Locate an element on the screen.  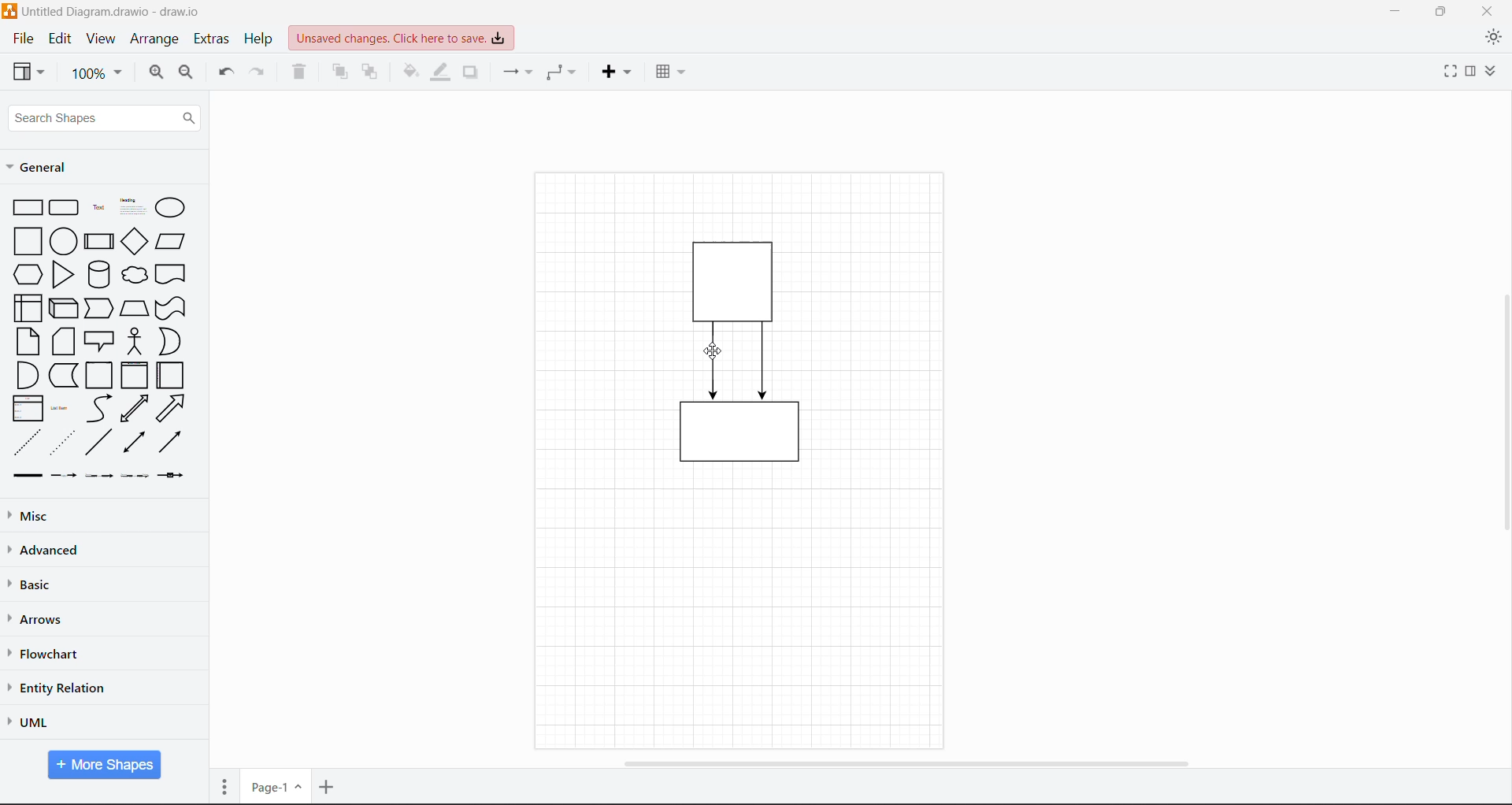
connector label is located at coordinates (64, 475).